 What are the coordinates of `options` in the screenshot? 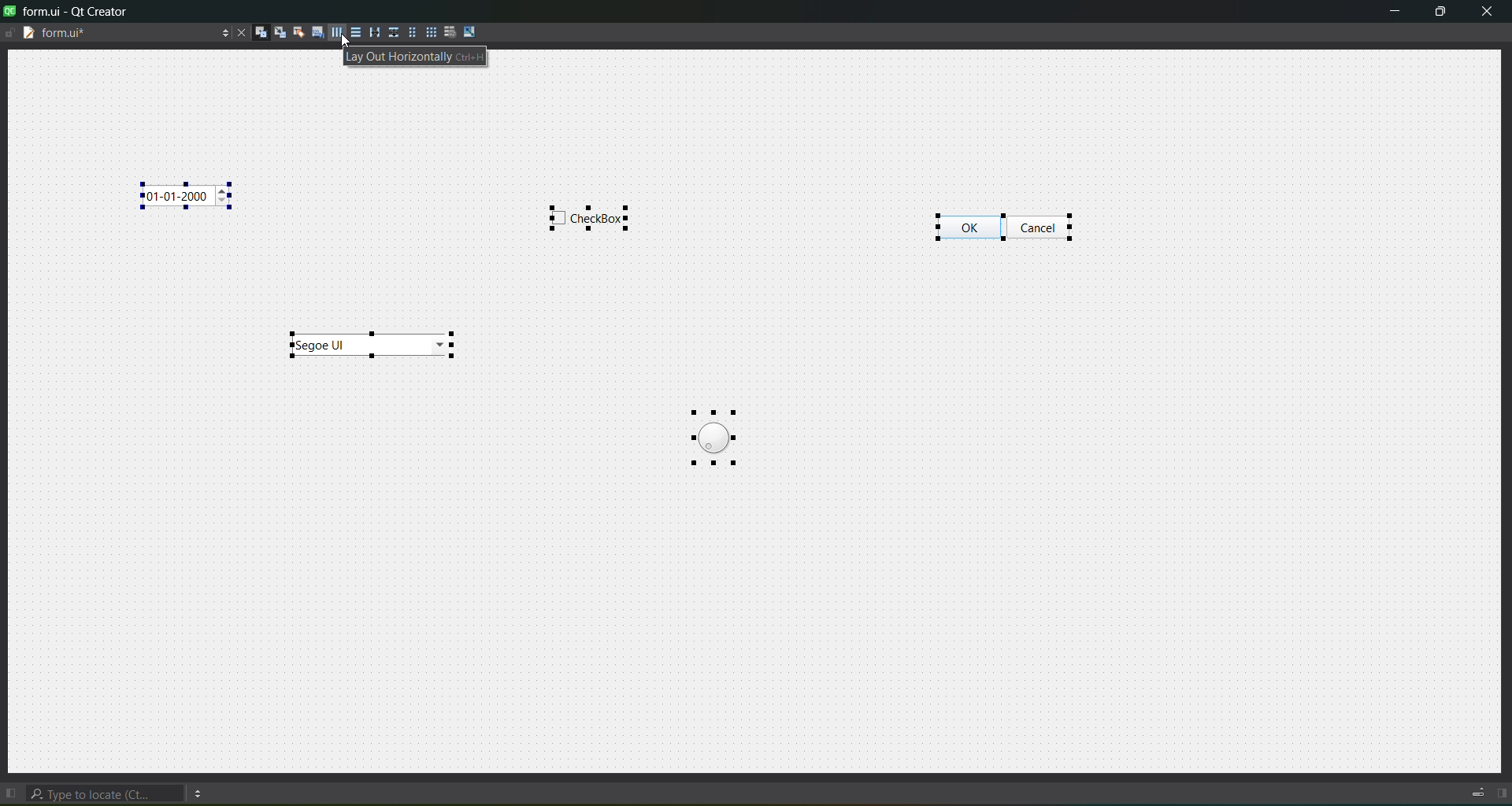 It's located at (219, 32).